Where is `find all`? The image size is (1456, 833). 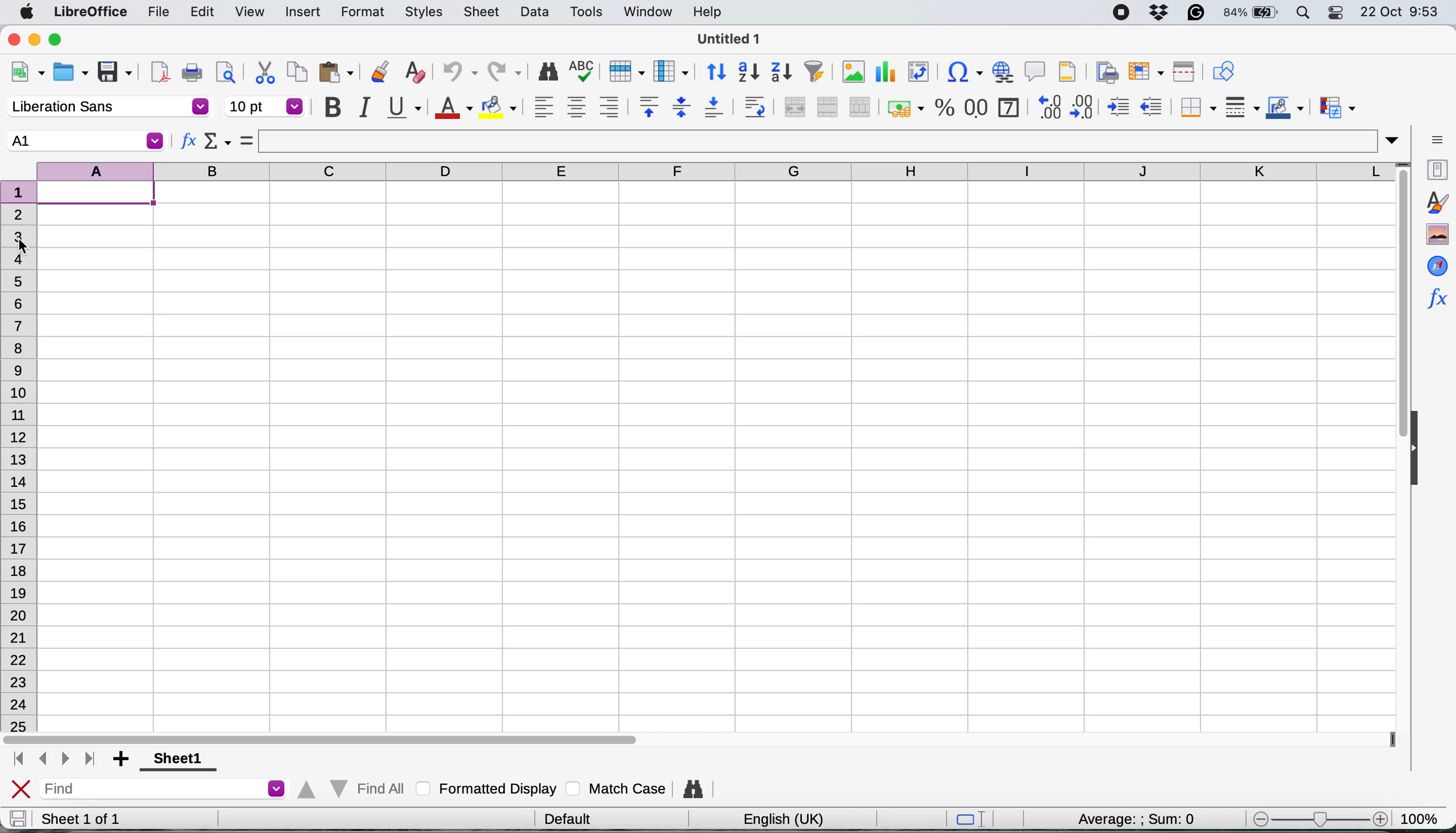 find all is located at coordinates (349, 786).